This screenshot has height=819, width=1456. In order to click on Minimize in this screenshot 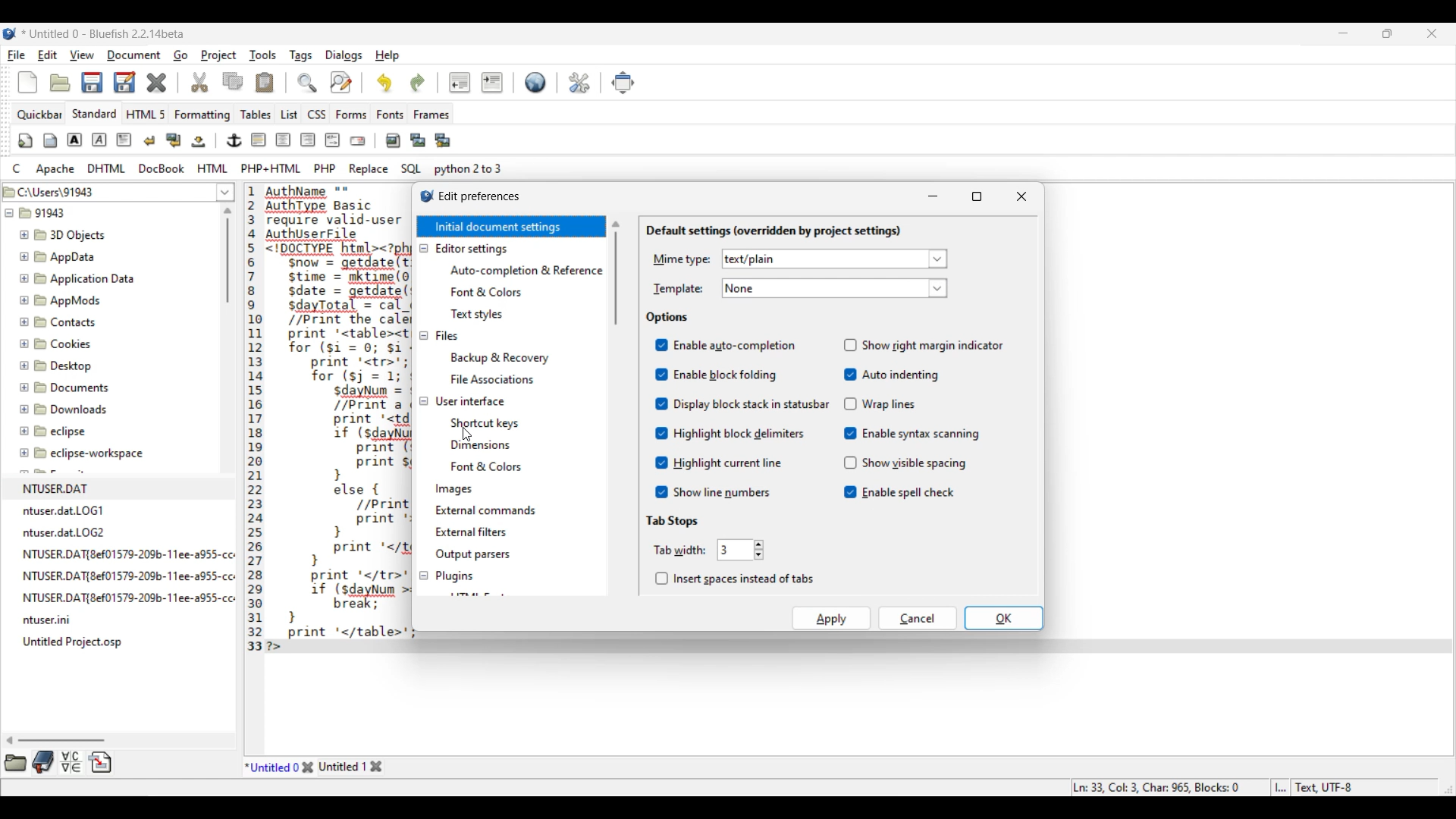, I will do `click(1344, 33)`.